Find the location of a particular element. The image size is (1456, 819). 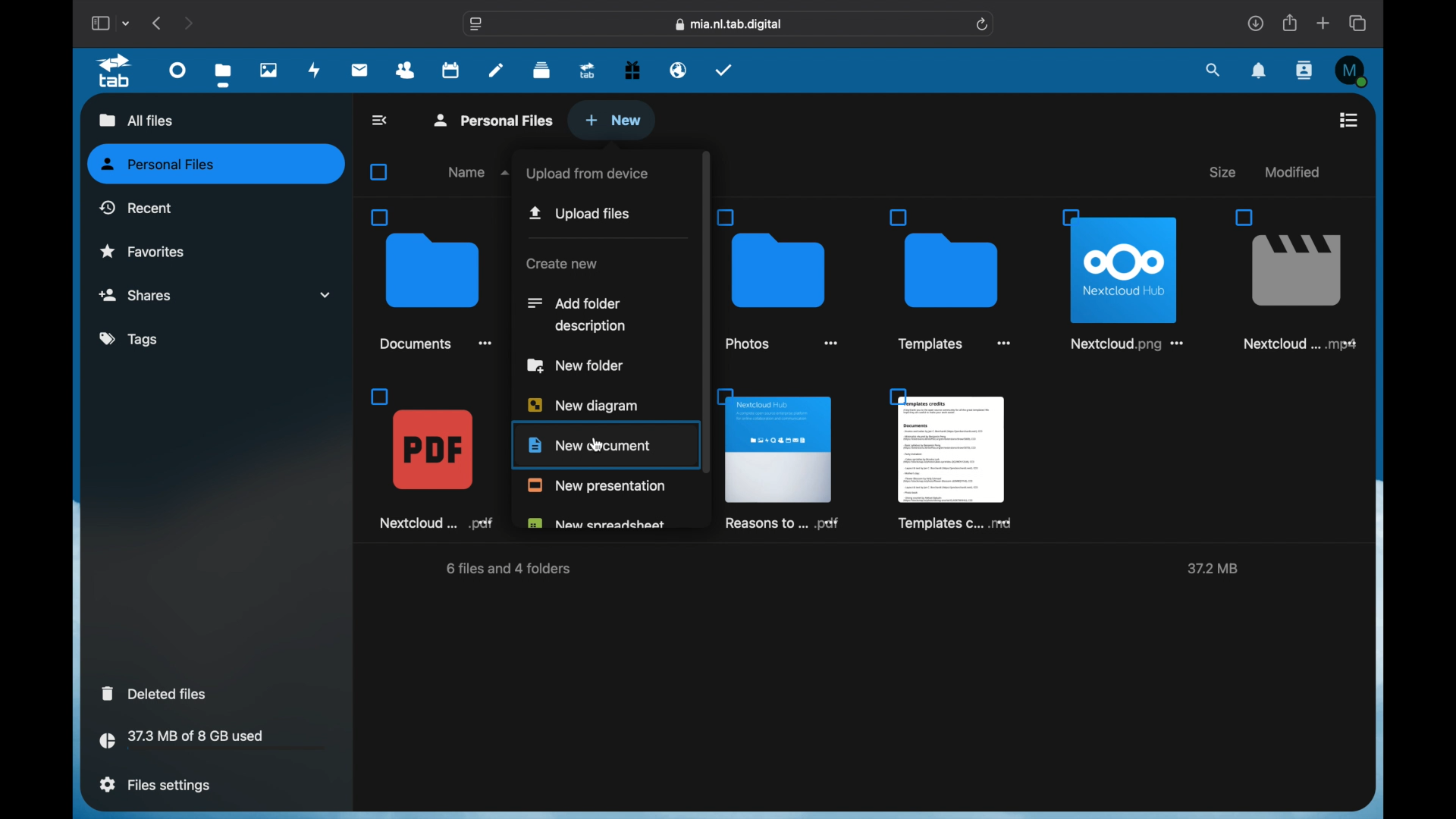

file is located at coordinates (1292, 280).